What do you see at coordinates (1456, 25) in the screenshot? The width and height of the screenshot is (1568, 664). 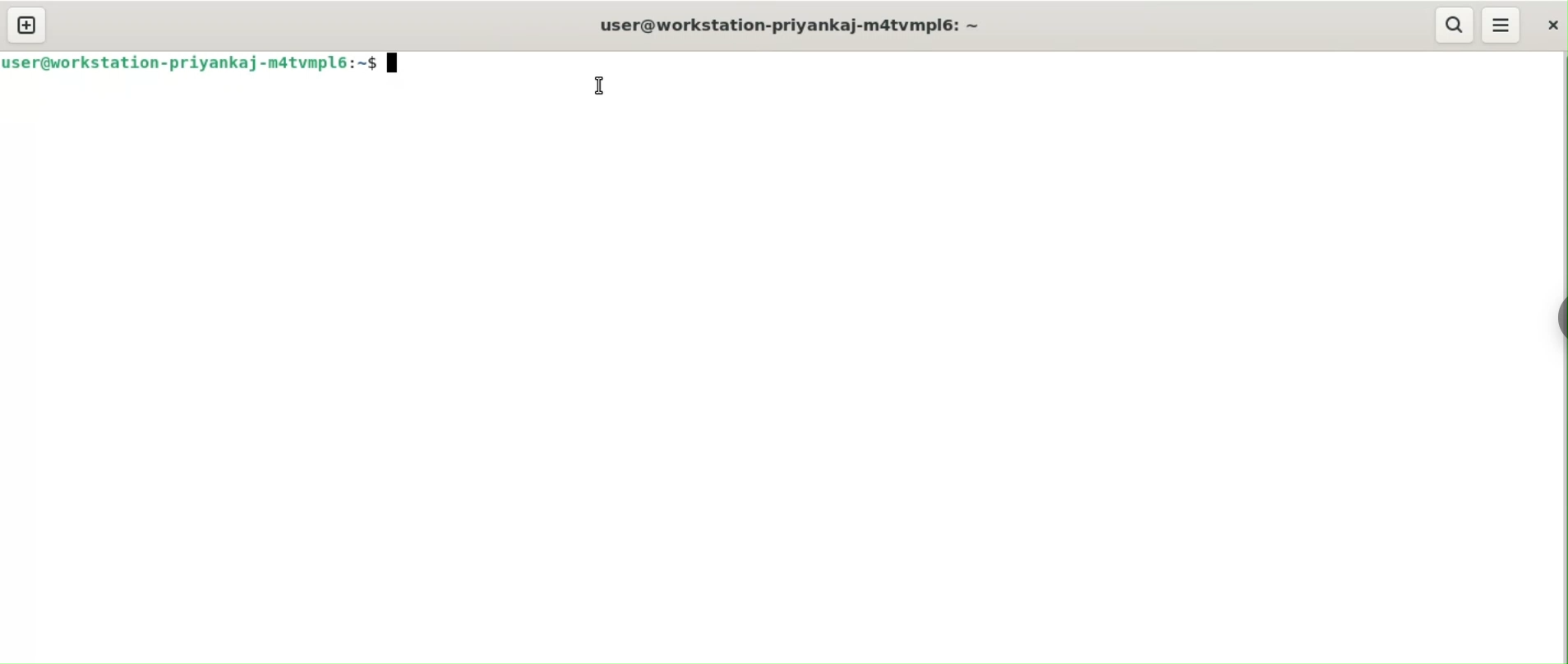 I see `search` at bounding box center [1456, 25].